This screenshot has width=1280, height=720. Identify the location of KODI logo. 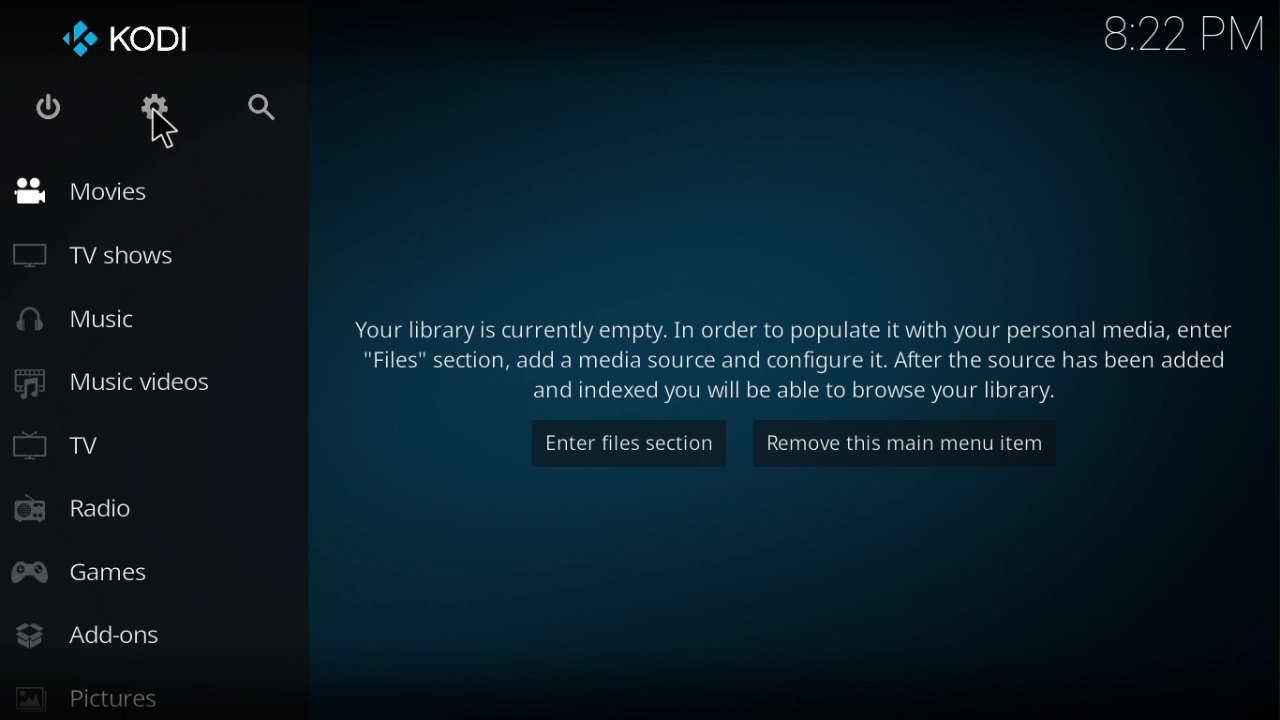
(133, 40).